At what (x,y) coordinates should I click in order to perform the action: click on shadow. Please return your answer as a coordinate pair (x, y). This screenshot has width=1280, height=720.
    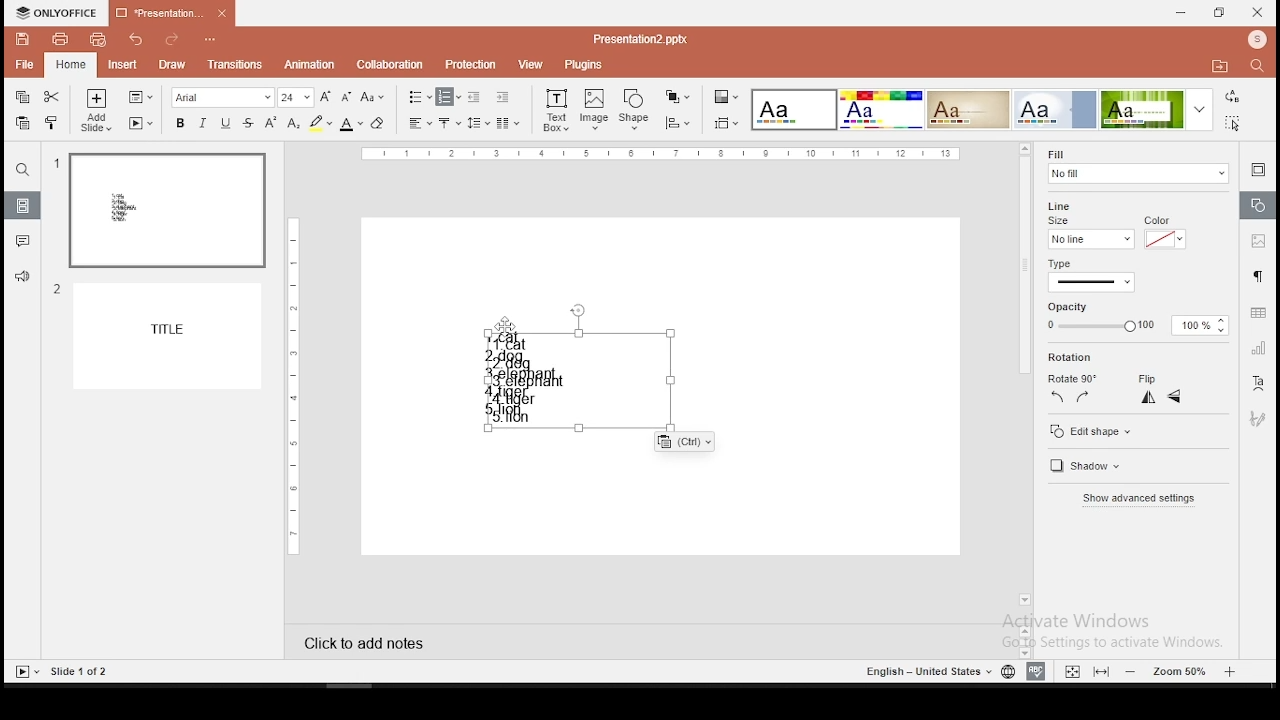
    Looking at the image, I should click on (1098, 467).